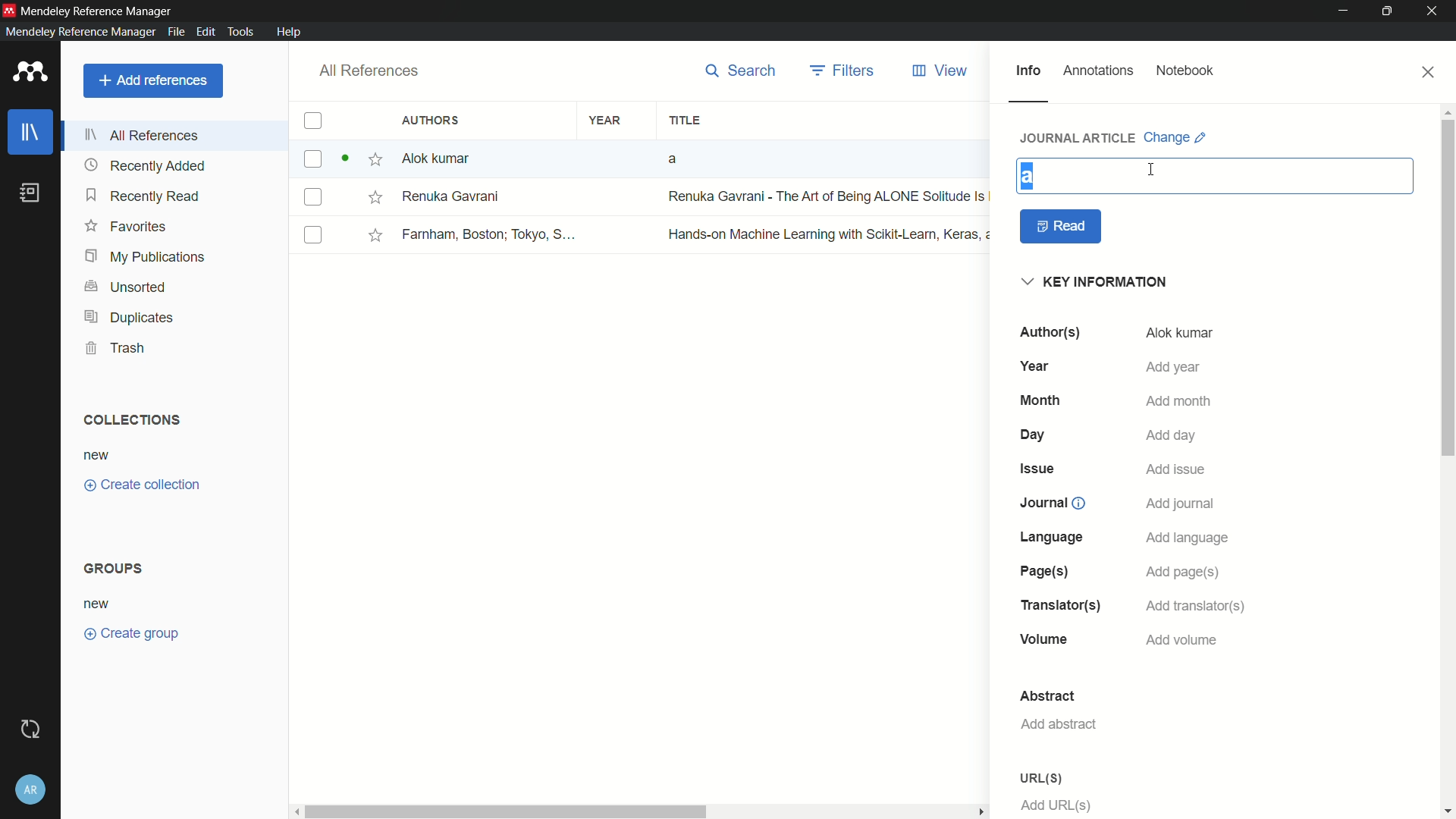 Image resolution: width=1456 pixels, height=819 pixels. I want to click on collections, so click(130, 420).